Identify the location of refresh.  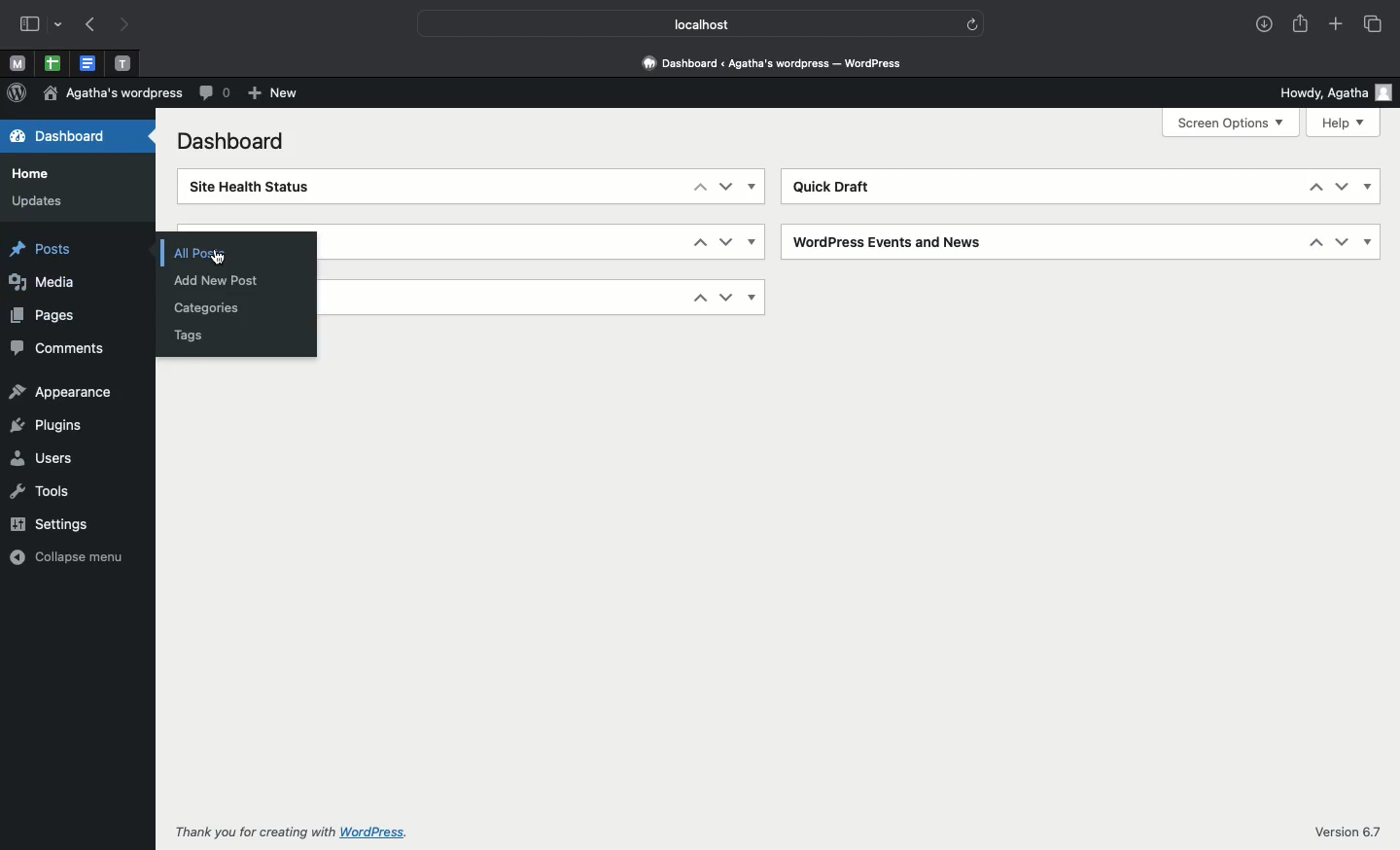
(974, 23).